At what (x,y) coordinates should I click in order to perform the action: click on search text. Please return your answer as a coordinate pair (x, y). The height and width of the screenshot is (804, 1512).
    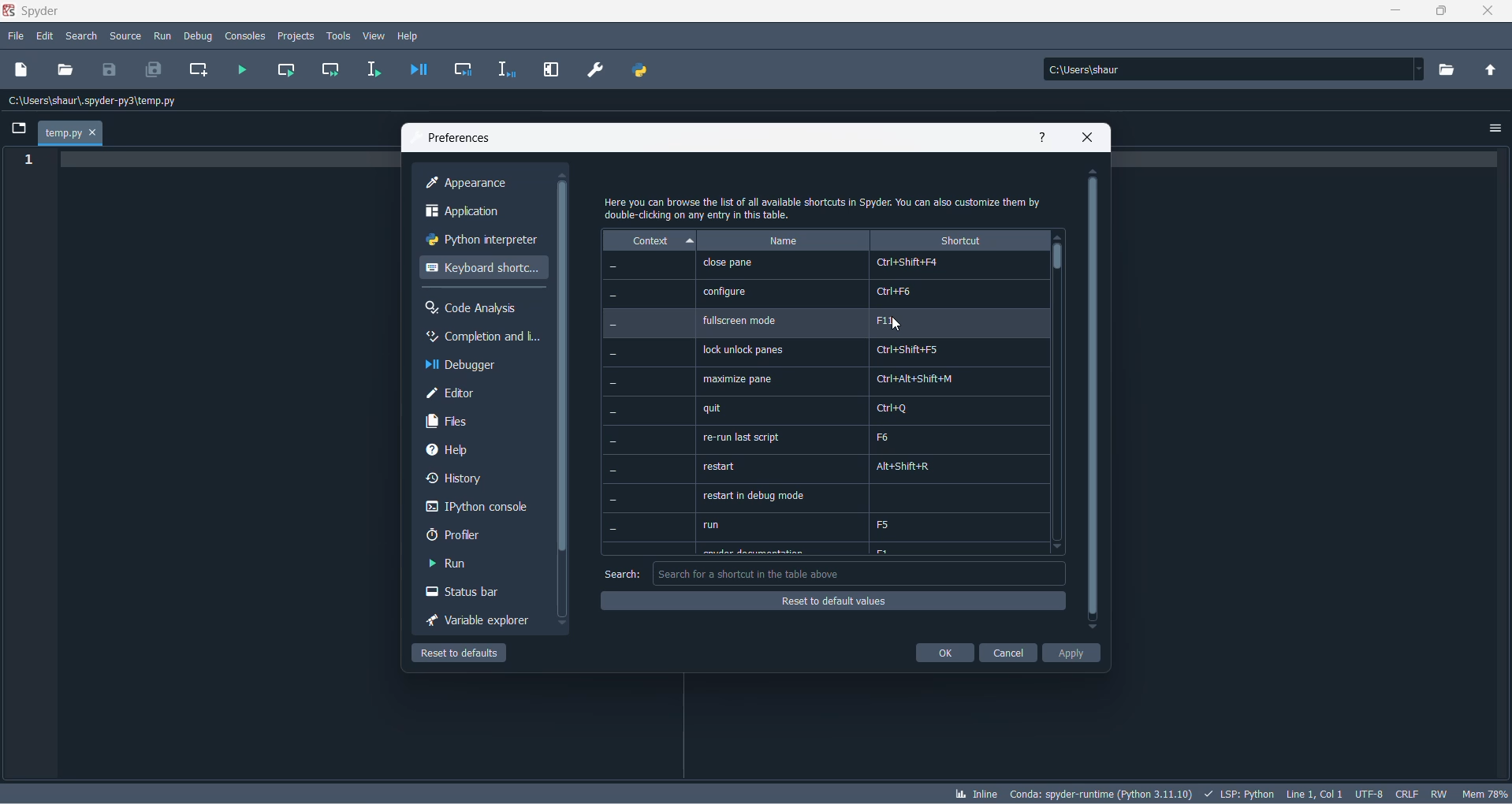
    Looking at the image, I should click on (621, 575).